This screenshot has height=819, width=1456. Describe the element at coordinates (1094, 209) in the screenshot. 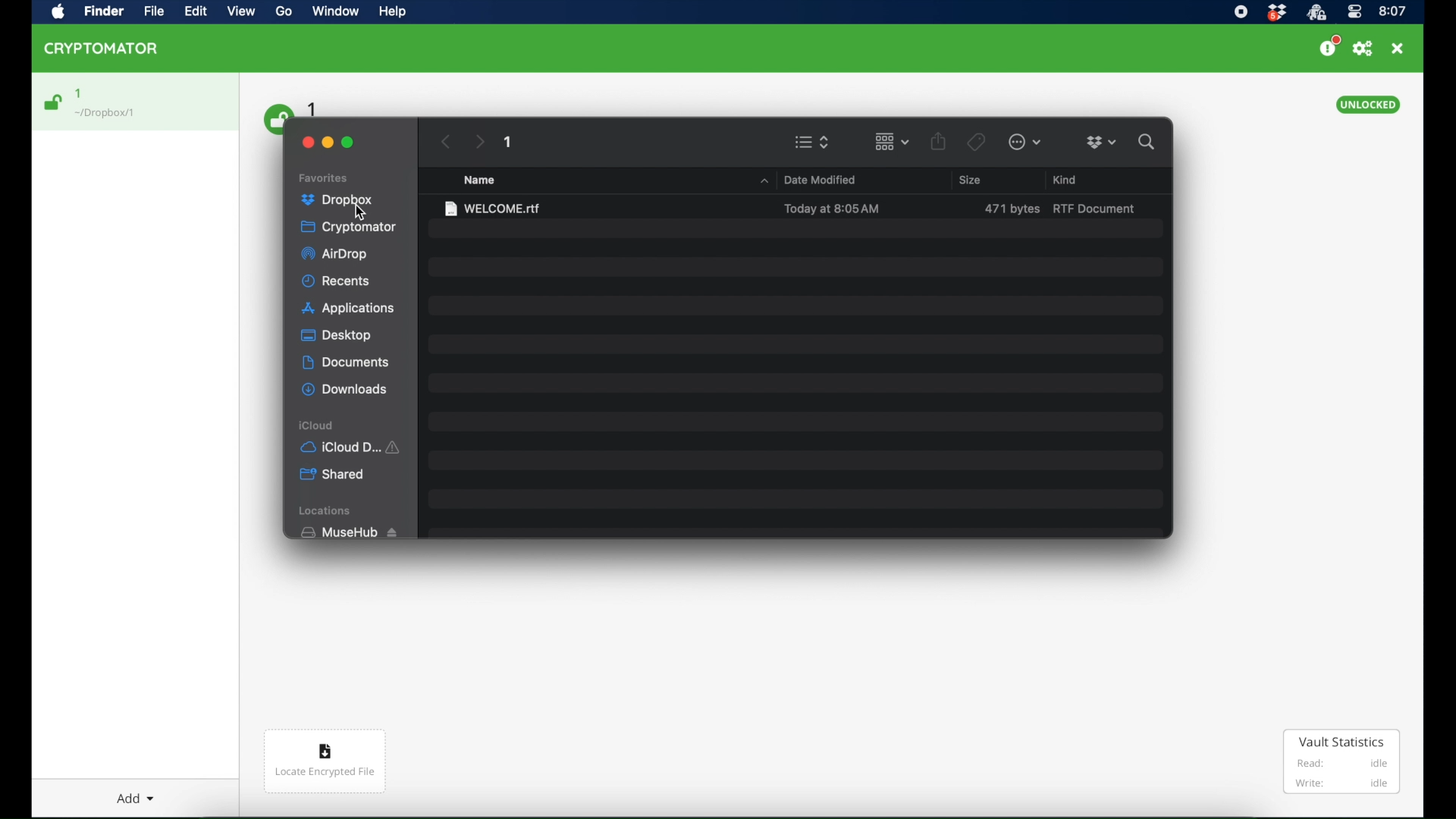

I see `rtf ` at that location.